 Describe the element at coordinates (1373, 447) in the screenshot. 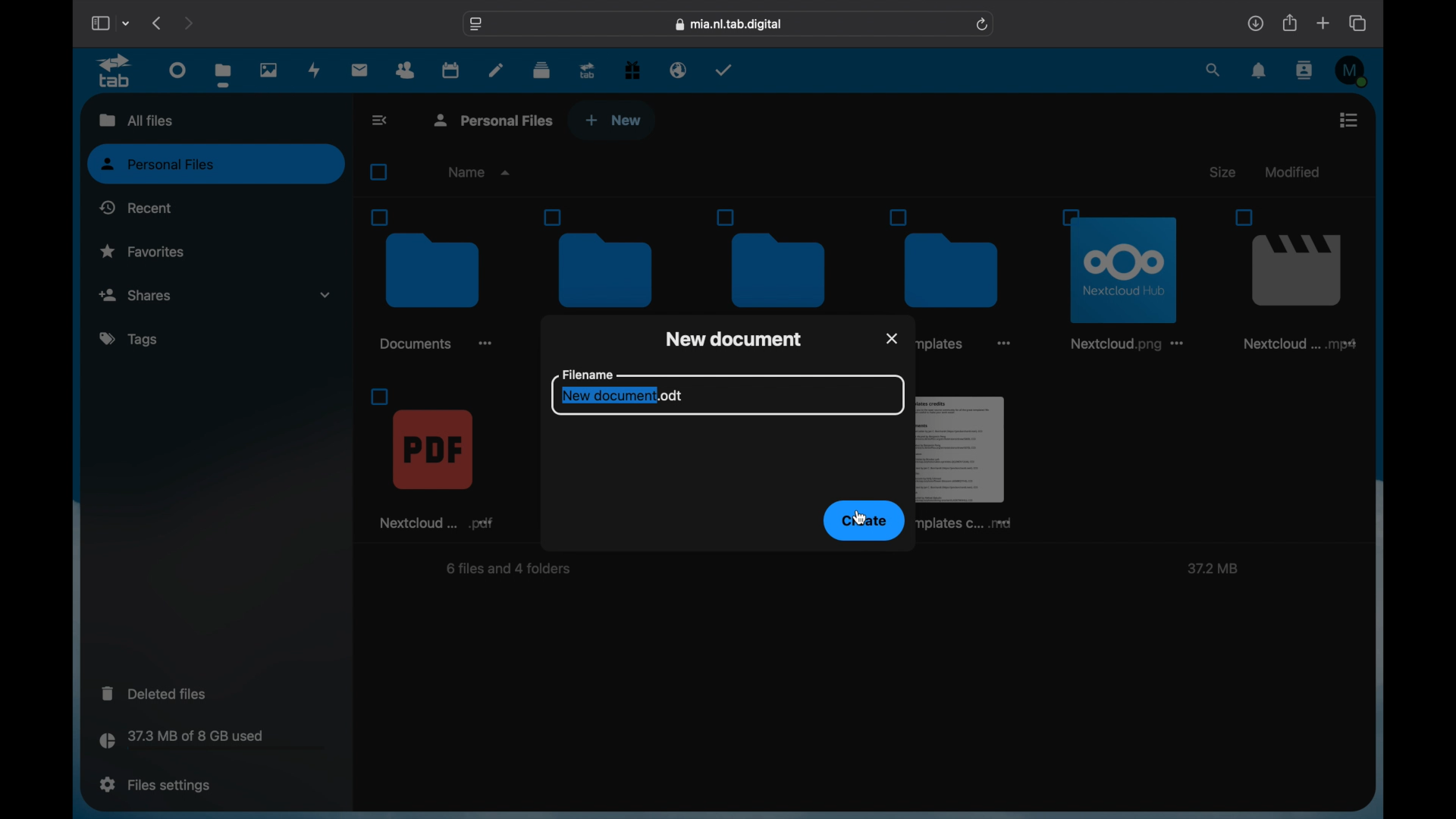

I see `scroll box` at that location.